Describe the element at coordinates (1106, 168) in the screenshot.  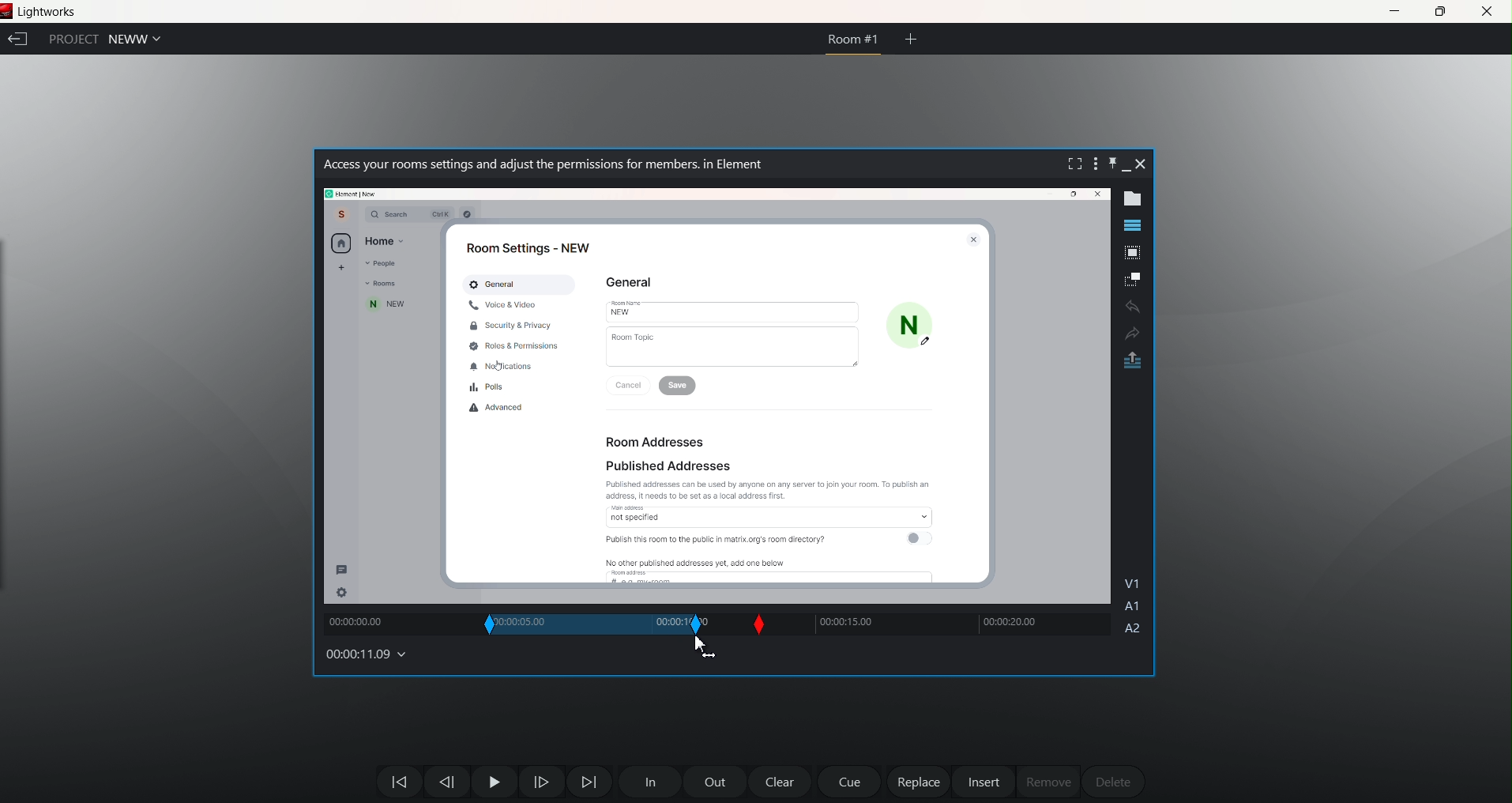
I see `pin this bar` at that location.